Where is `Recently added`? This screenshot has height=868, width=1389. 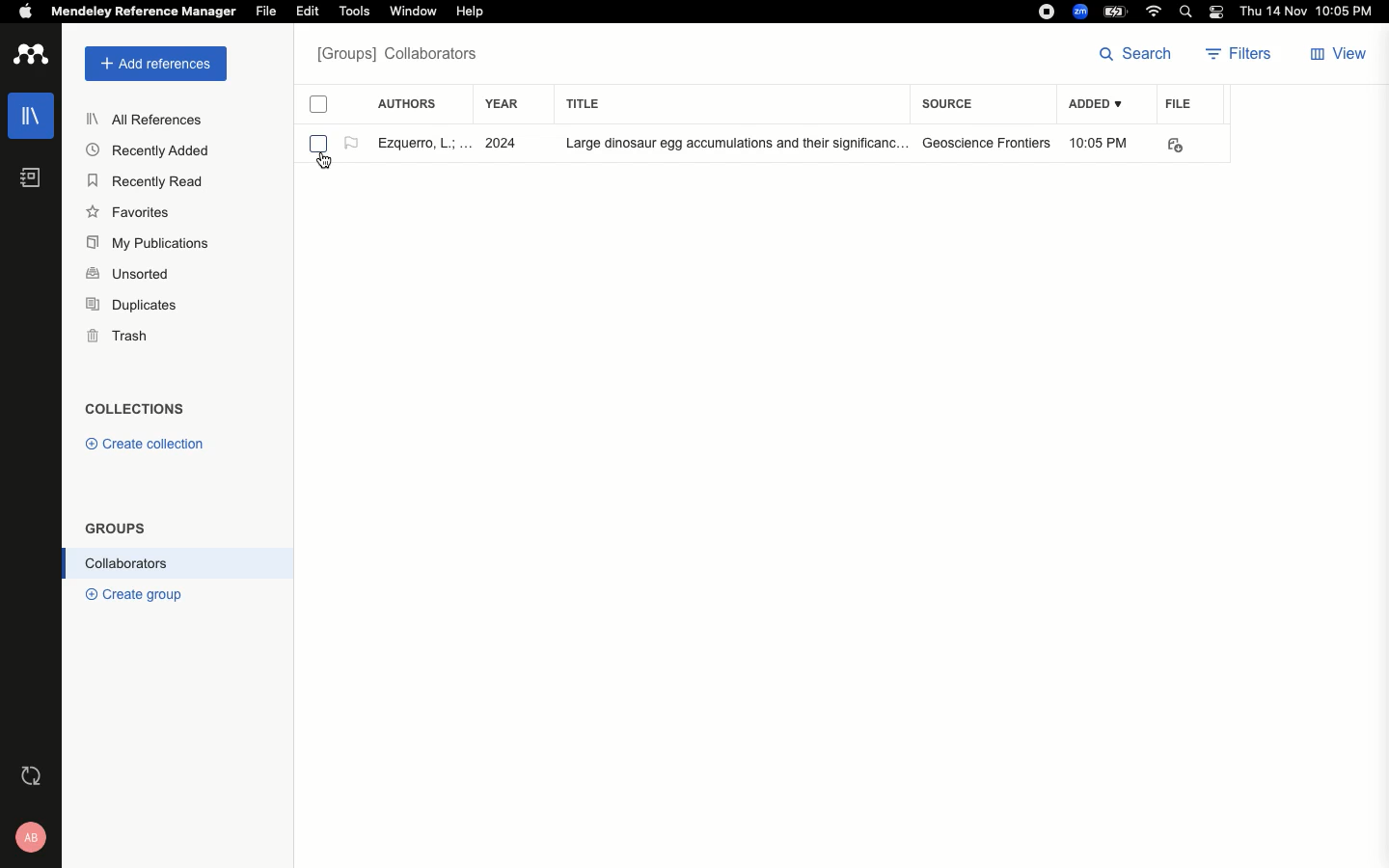
Recently added is located at coordinates (146, 150).